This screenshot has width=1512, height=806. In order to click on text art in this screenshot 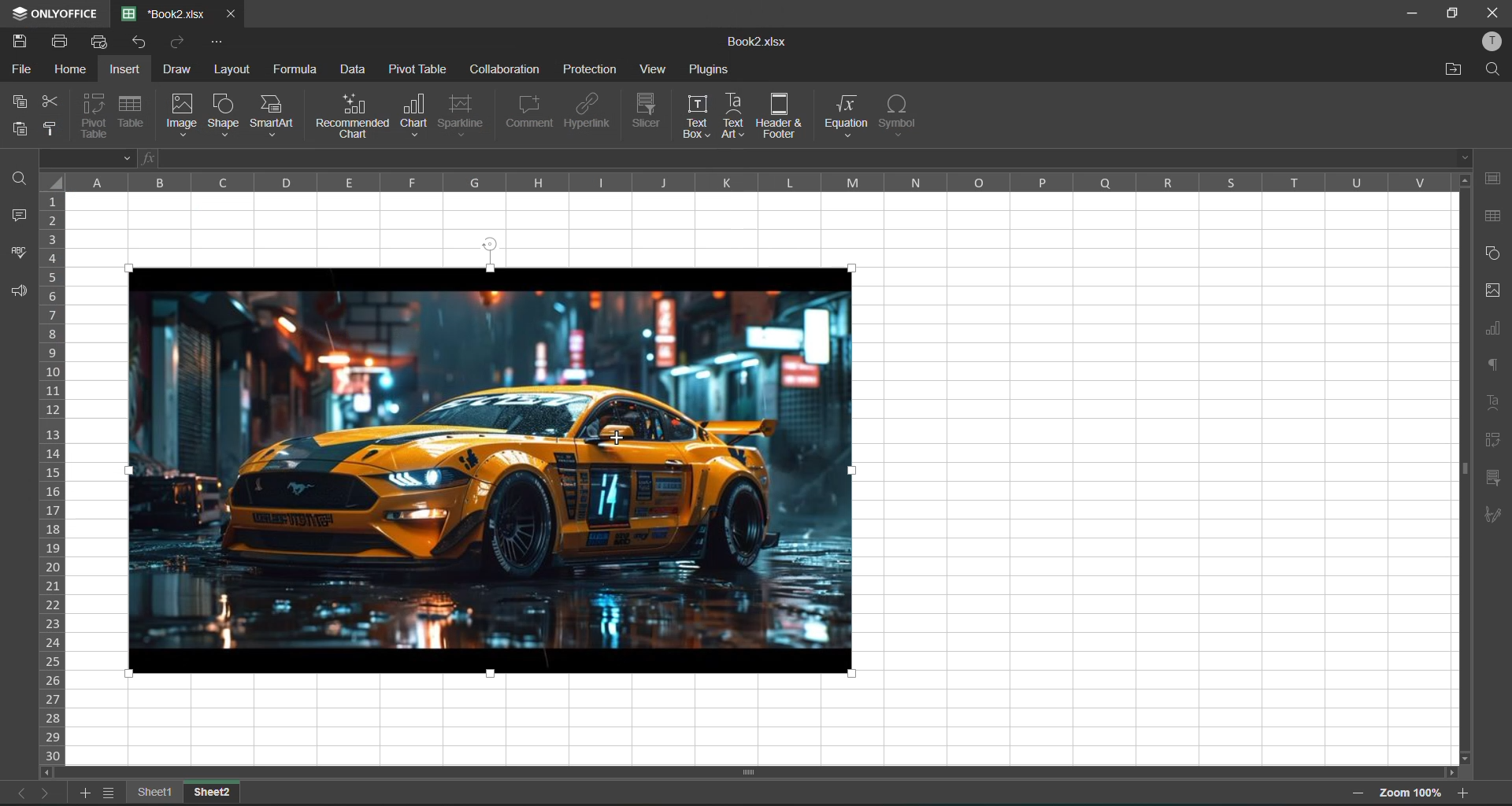, I will do `click(732, 116)`.